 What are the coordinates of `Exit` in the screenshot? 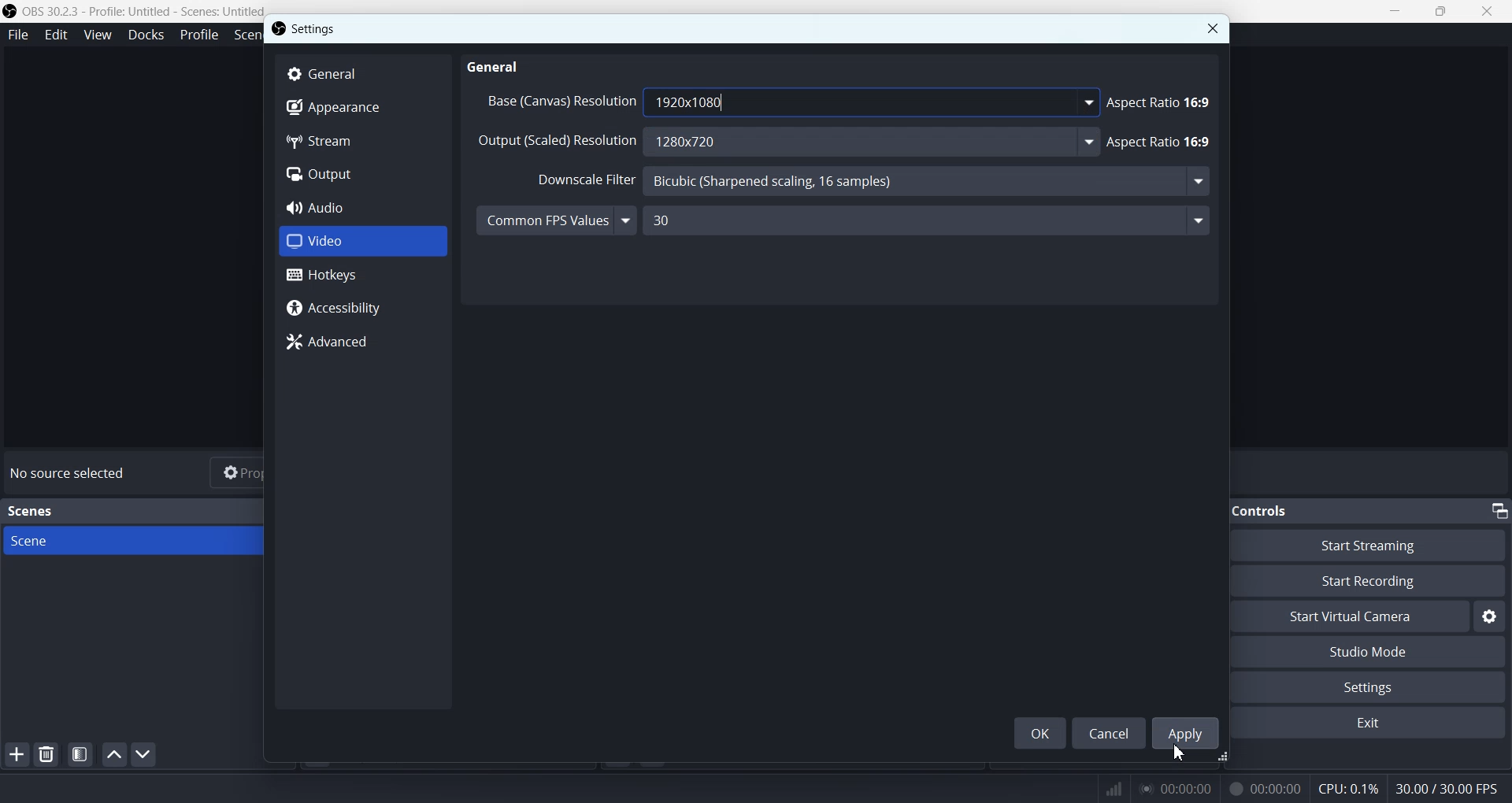 It's located at (1374, 724).